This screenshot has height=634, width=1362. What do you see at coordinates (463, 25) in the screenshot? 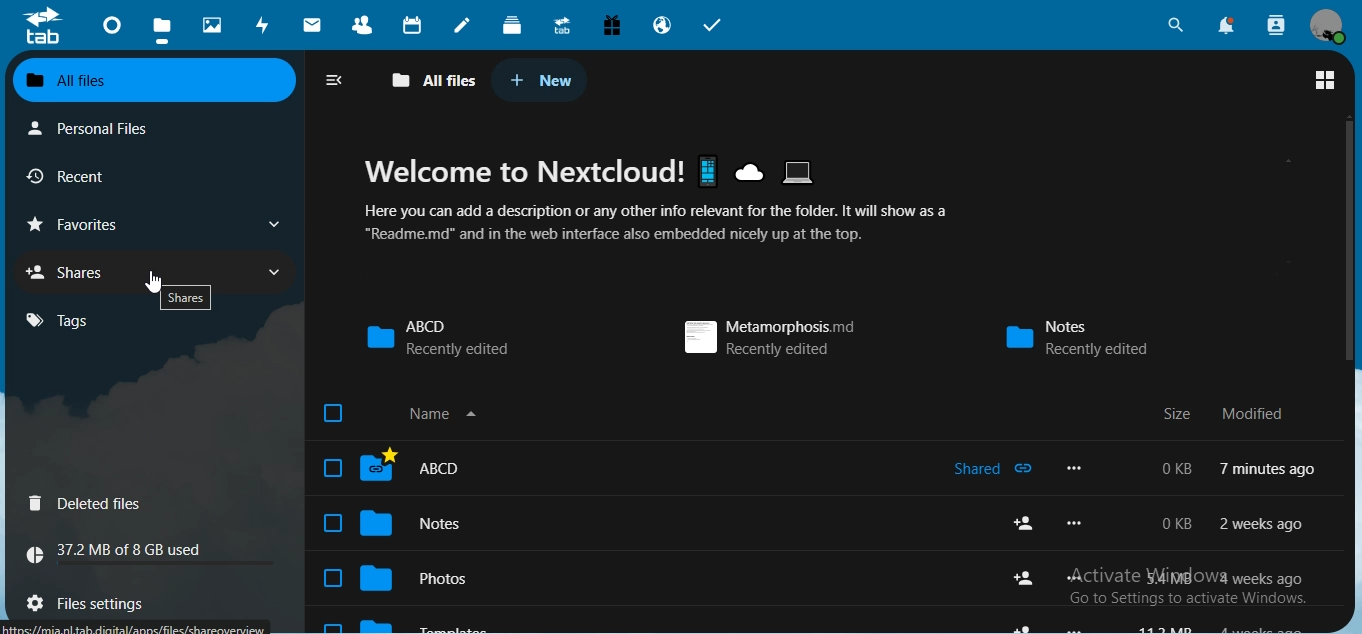
I see `notes` at bounding box center [463, 25].